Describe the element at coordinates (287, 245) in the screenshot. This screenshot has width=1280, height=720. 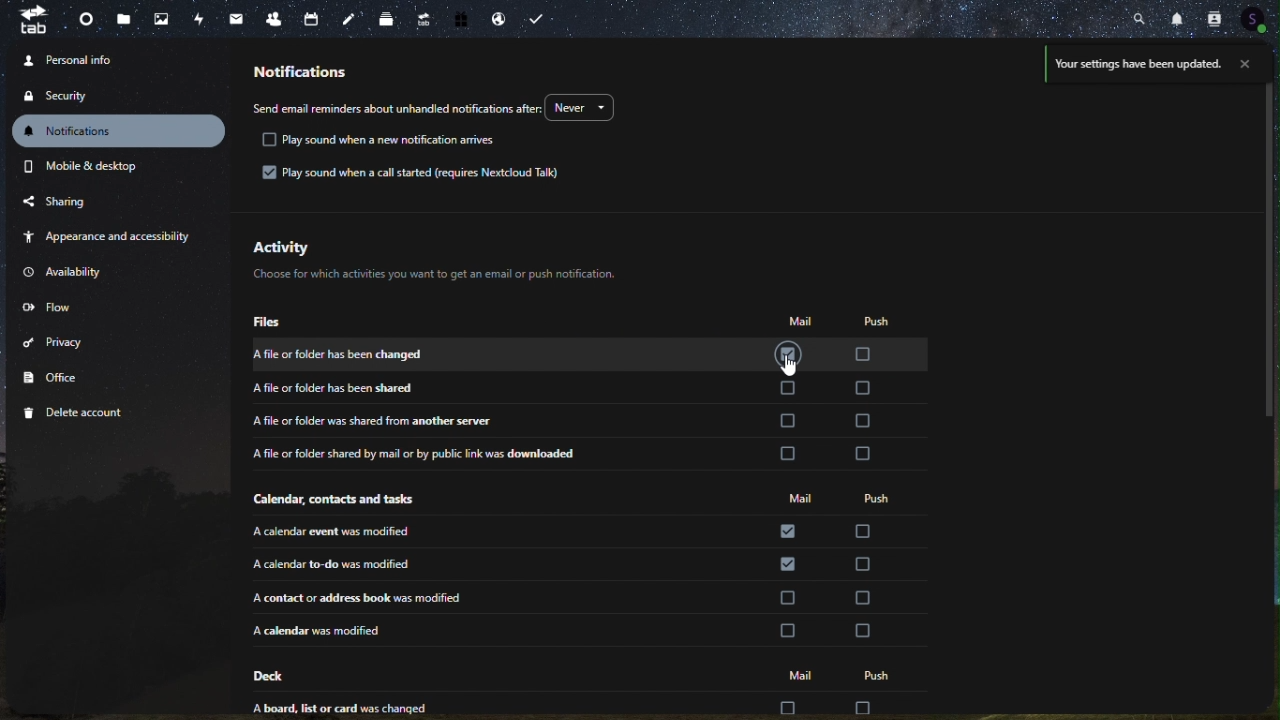
I see `activity` at that location.